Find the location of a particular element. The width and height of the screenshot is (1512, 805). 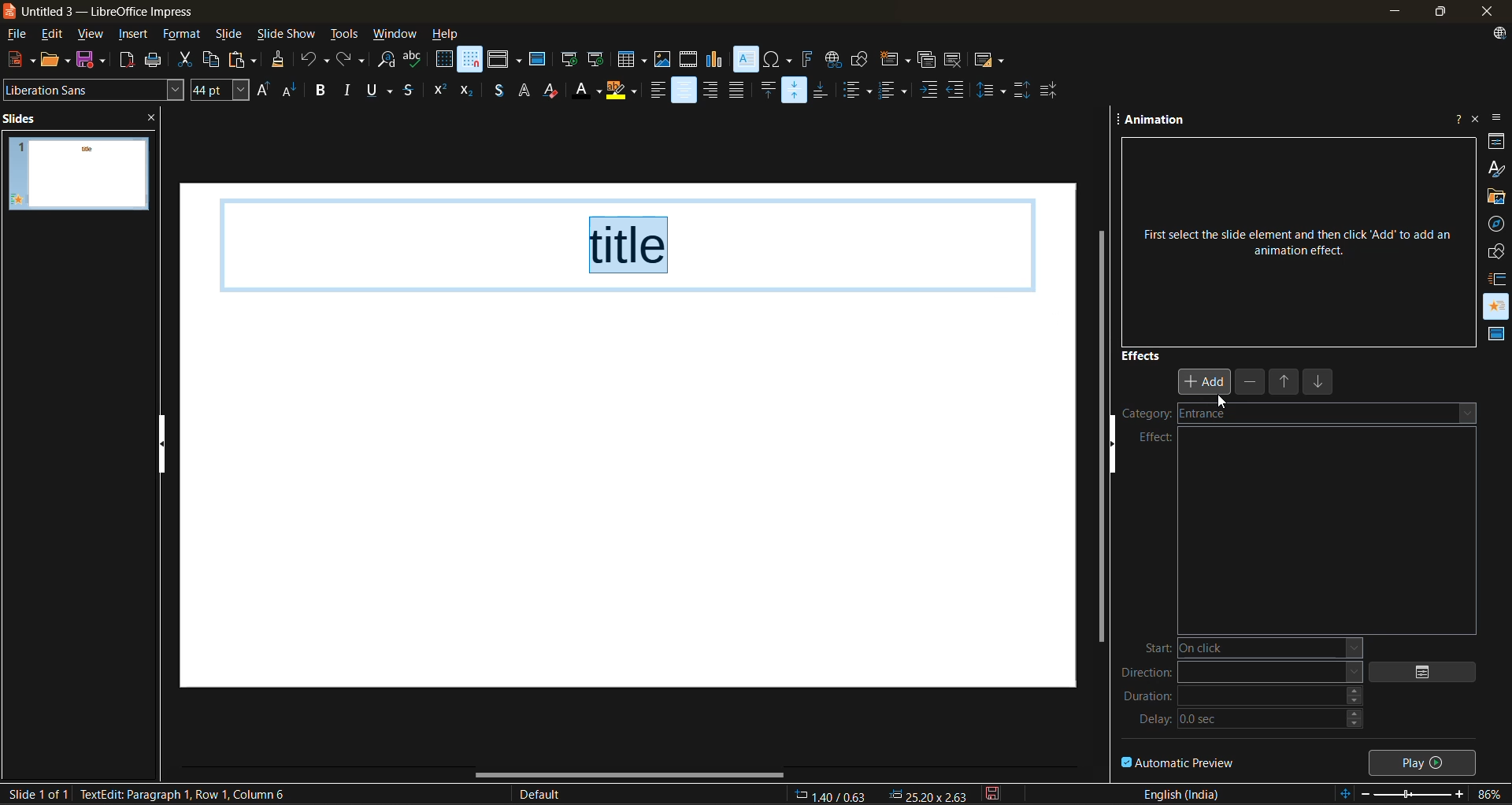

insert audio or video is located at coordinates (689, 61).